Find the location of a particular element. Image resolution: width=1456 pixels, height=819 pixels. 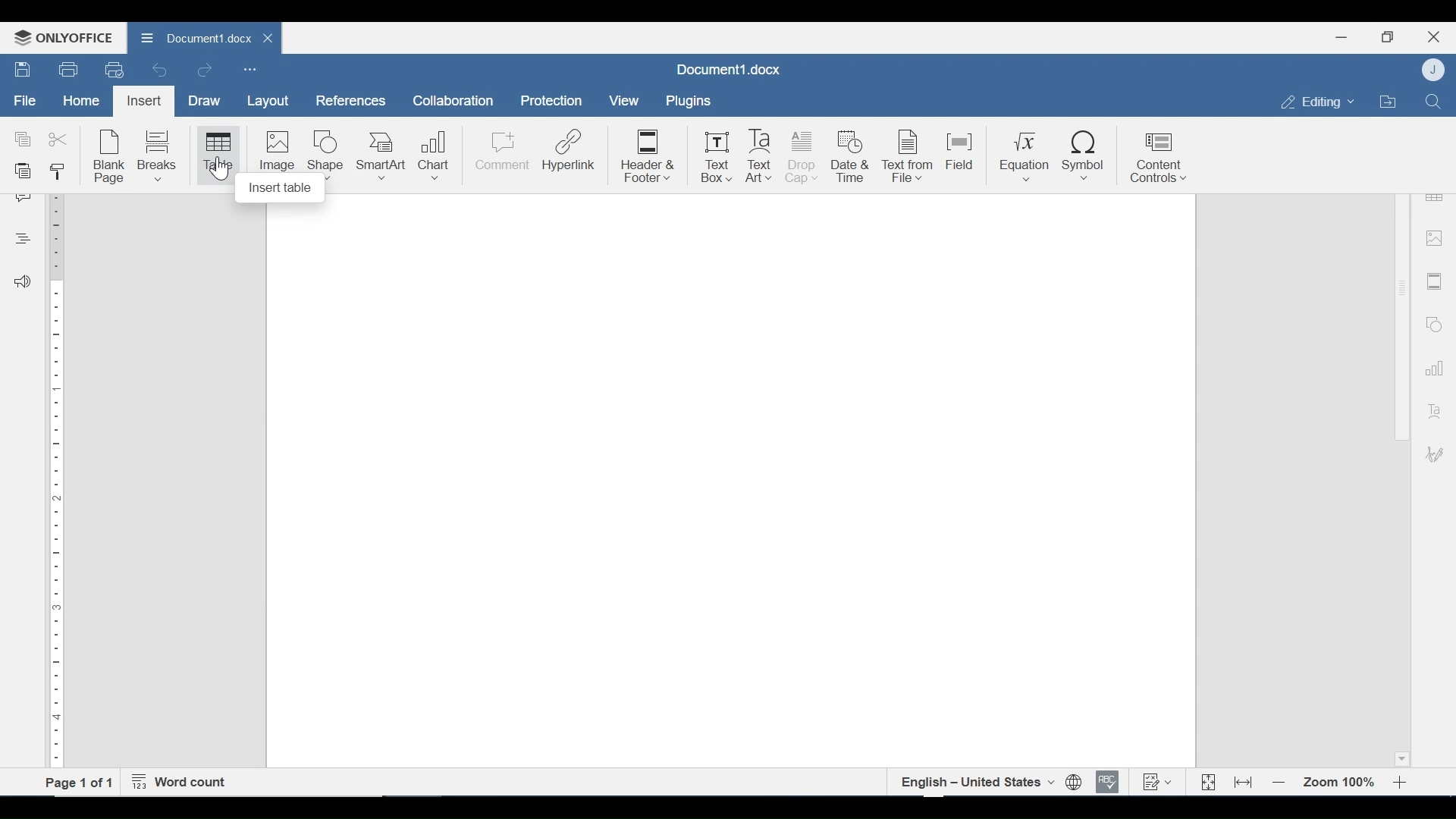

Comment is located at coordinates (501, 157).